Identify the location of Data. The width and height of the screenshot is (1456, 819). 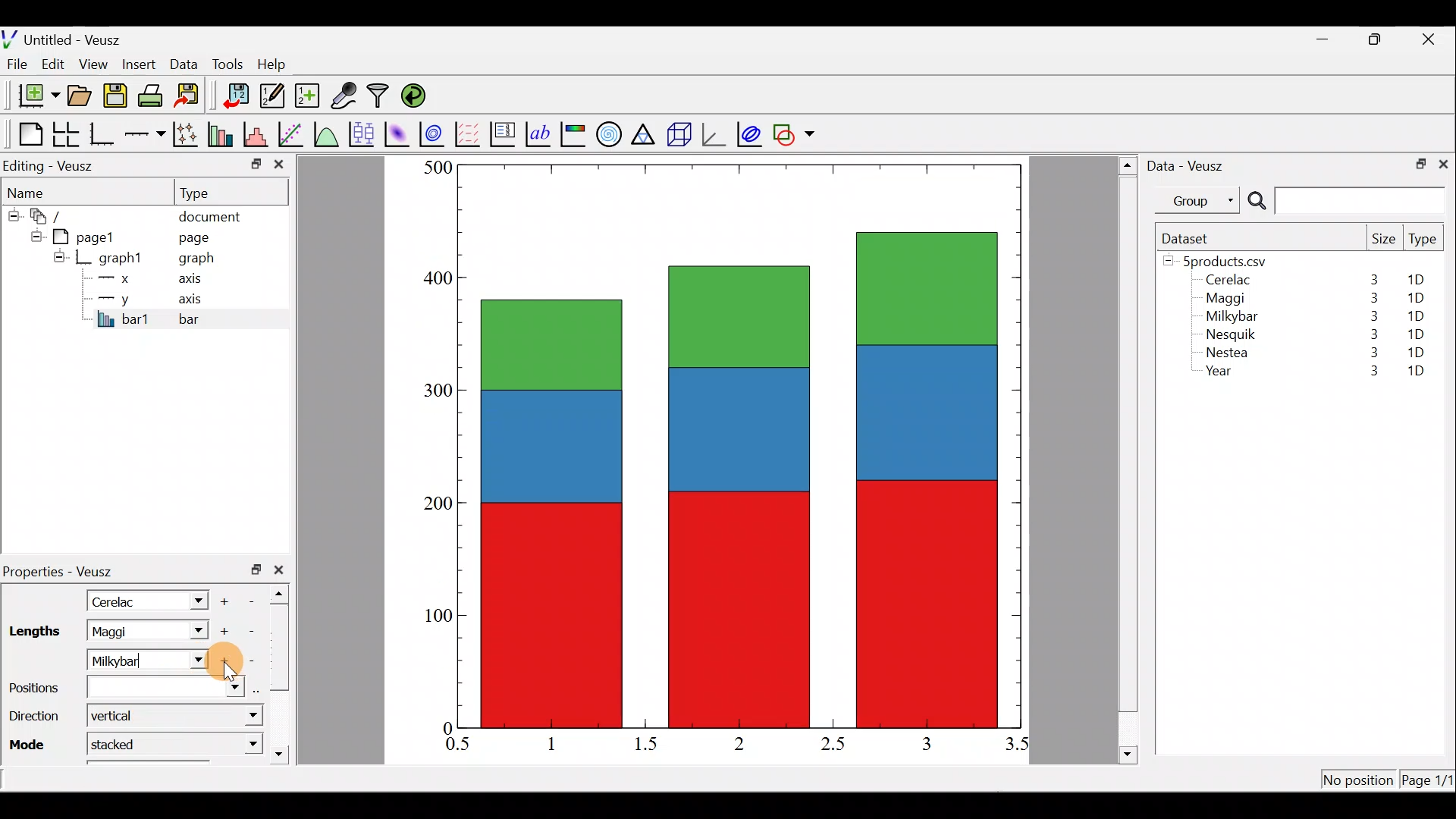
(184, 63).